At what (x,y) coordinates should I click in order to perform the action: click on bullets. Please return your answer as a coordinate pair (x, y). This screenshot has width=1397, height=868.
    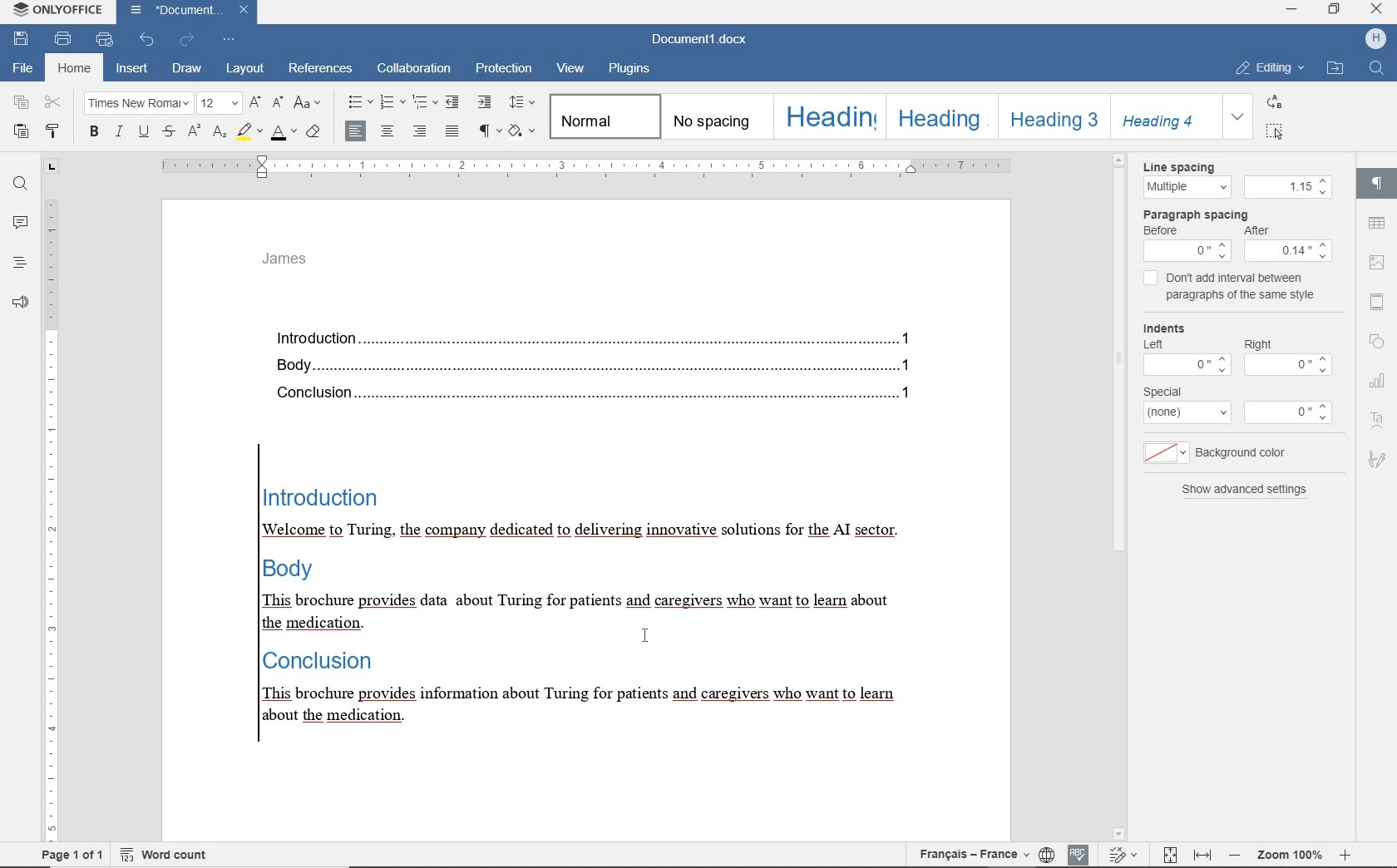
    Looking at the image, I should click on (360, 102).